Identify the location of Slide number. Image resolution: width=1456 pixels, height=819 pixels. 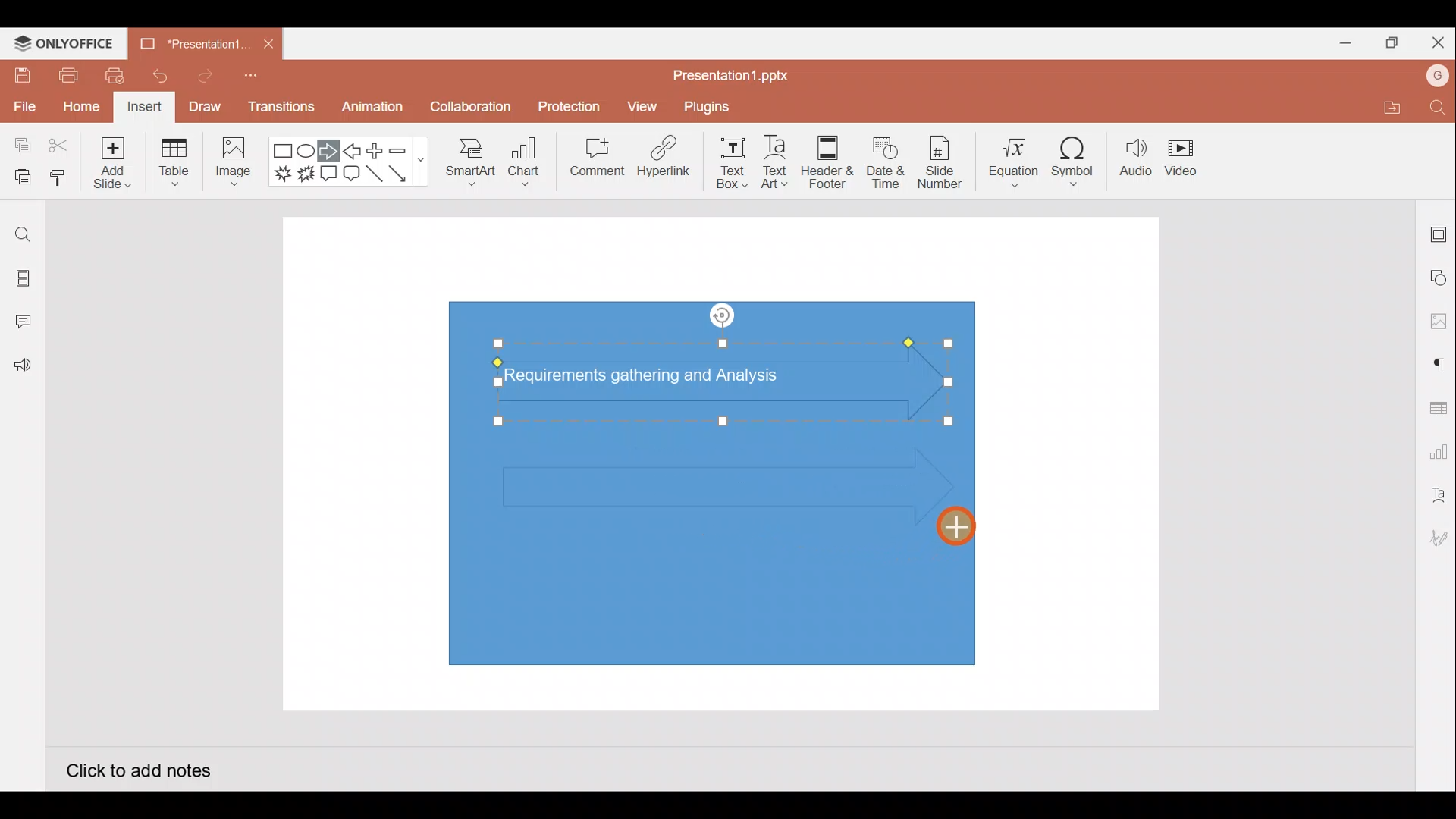
(939, 162).